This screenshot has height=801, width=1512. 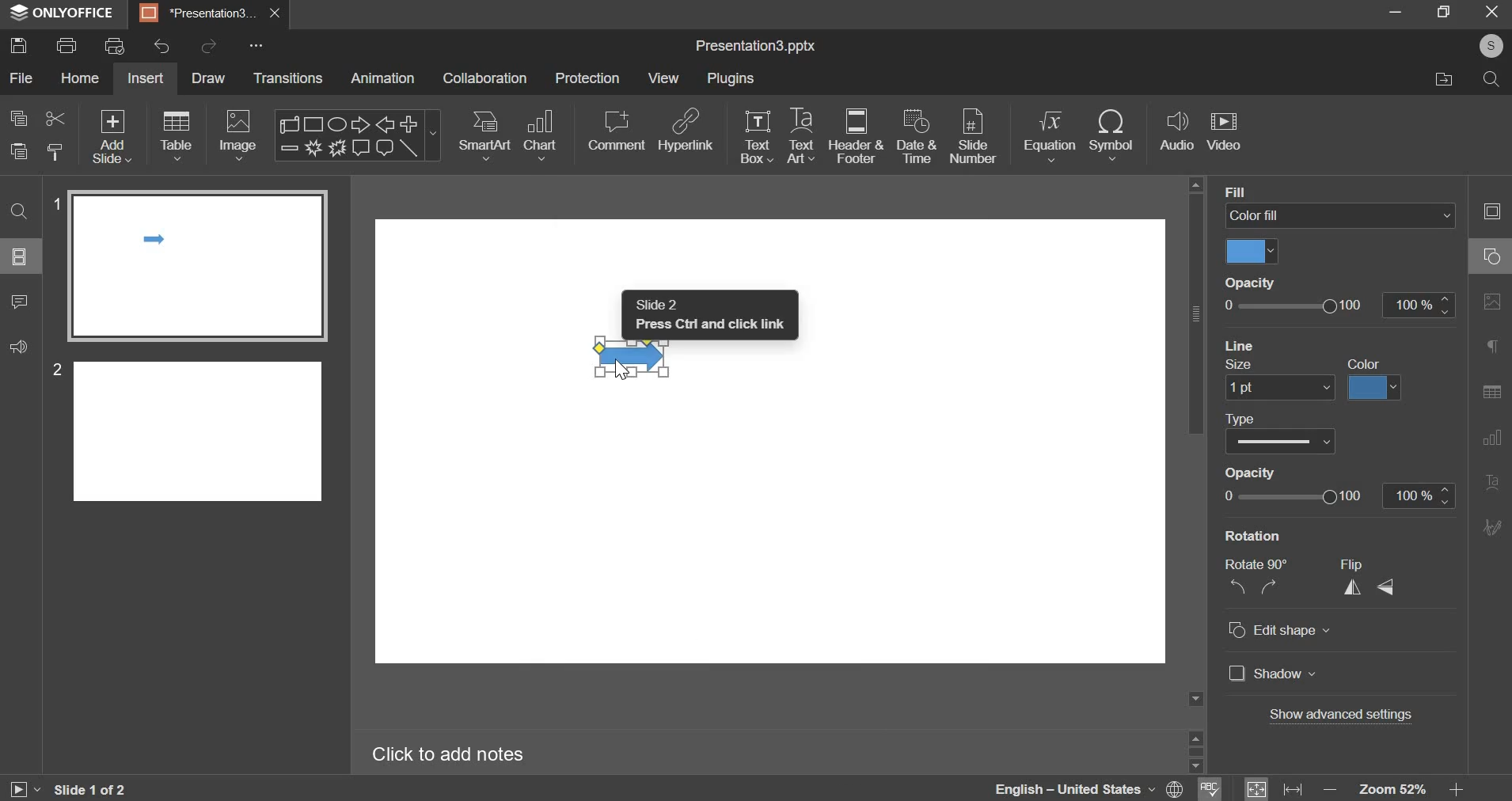 What do you see at coordinates (1492, 394) in the screenshot?
I see `Table setting` at bounding box center [1492, 394].